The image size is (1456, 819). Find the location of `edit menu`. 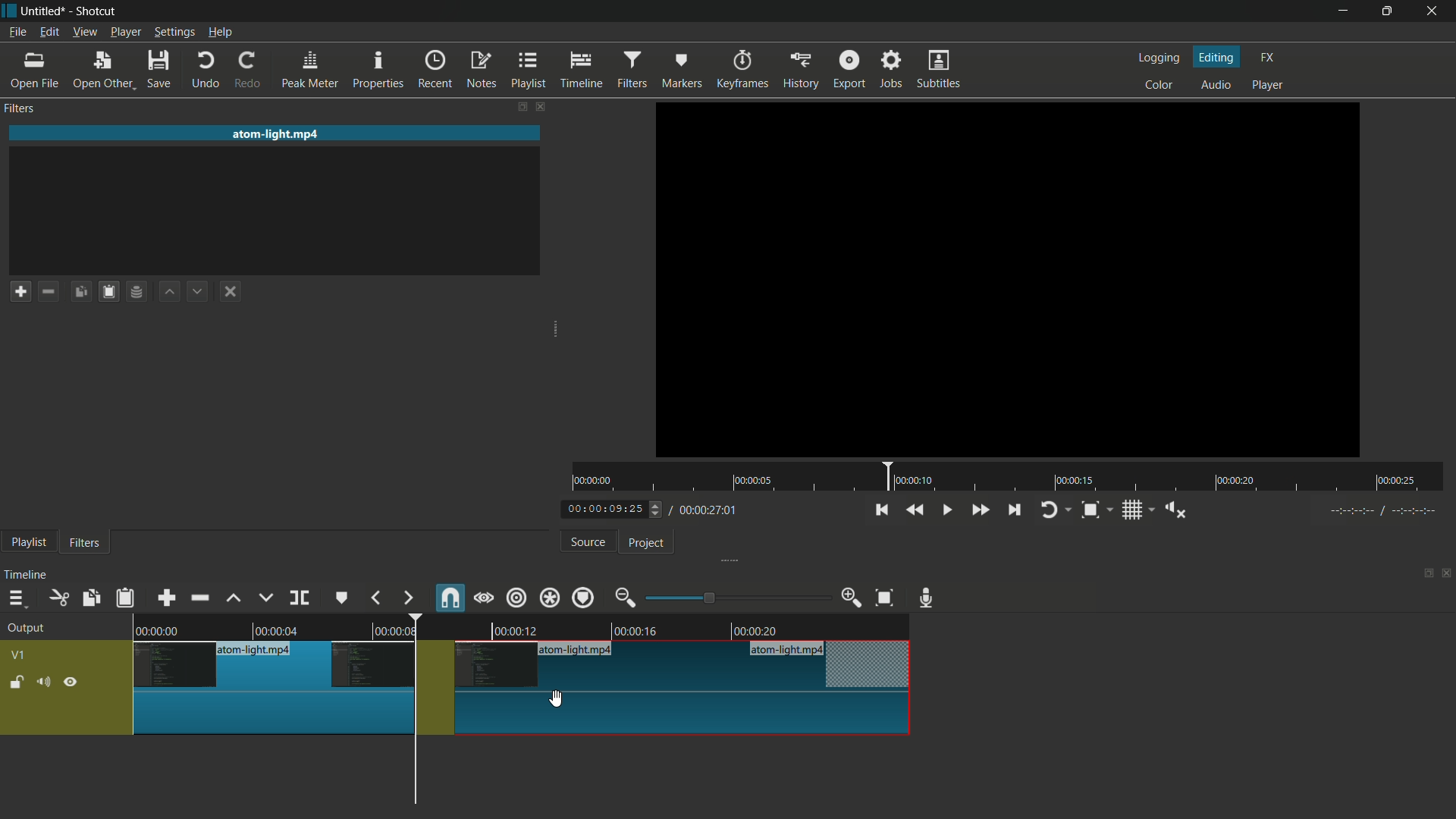

edit menu is located at coordinates (49, 33).